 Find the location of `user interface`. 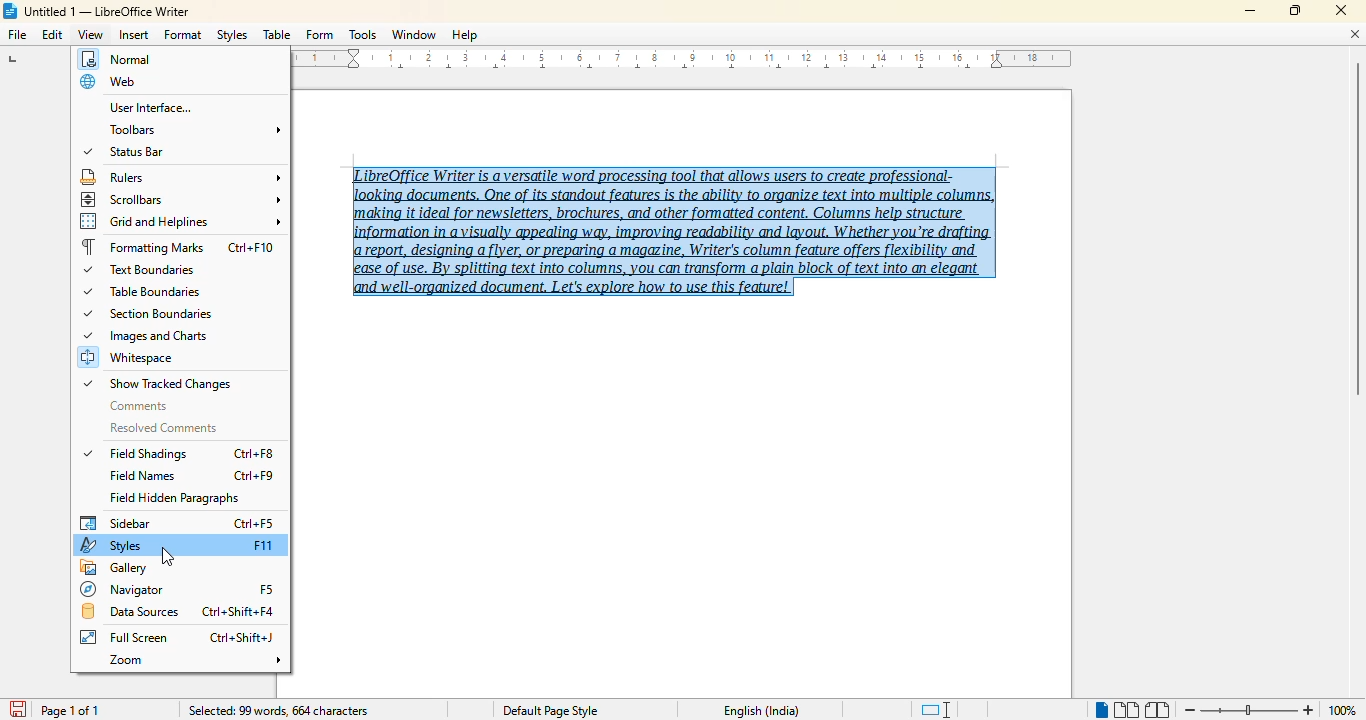

user interface is located at coordinates (151, 107).